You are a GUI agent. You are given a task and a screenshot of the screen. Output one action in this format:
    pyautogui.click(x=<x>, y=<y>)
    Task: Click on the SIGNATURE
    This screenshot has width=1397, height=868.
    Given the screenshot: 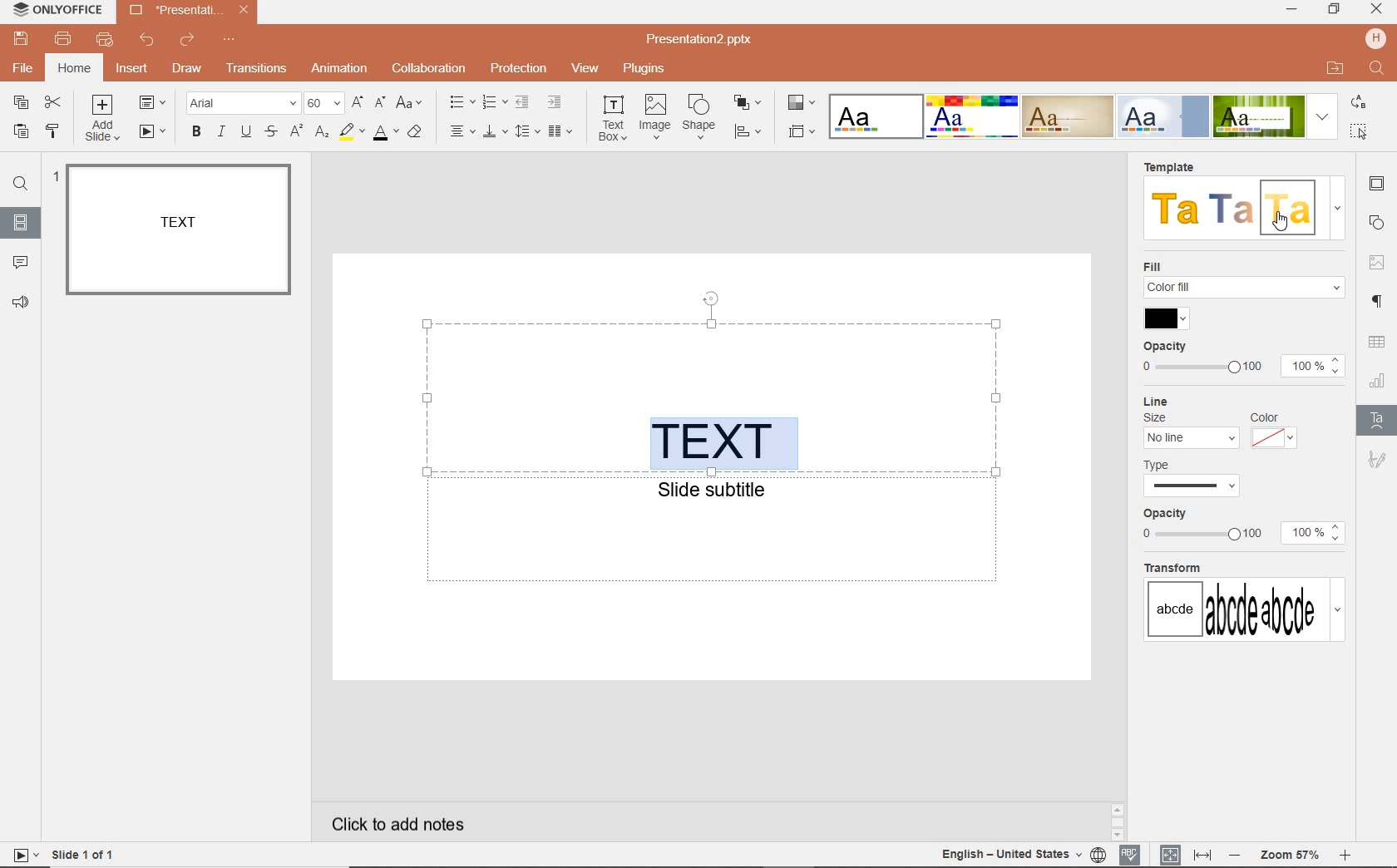 What is the action you would take?
    pyautogui.click(x=1377, y=460)
    